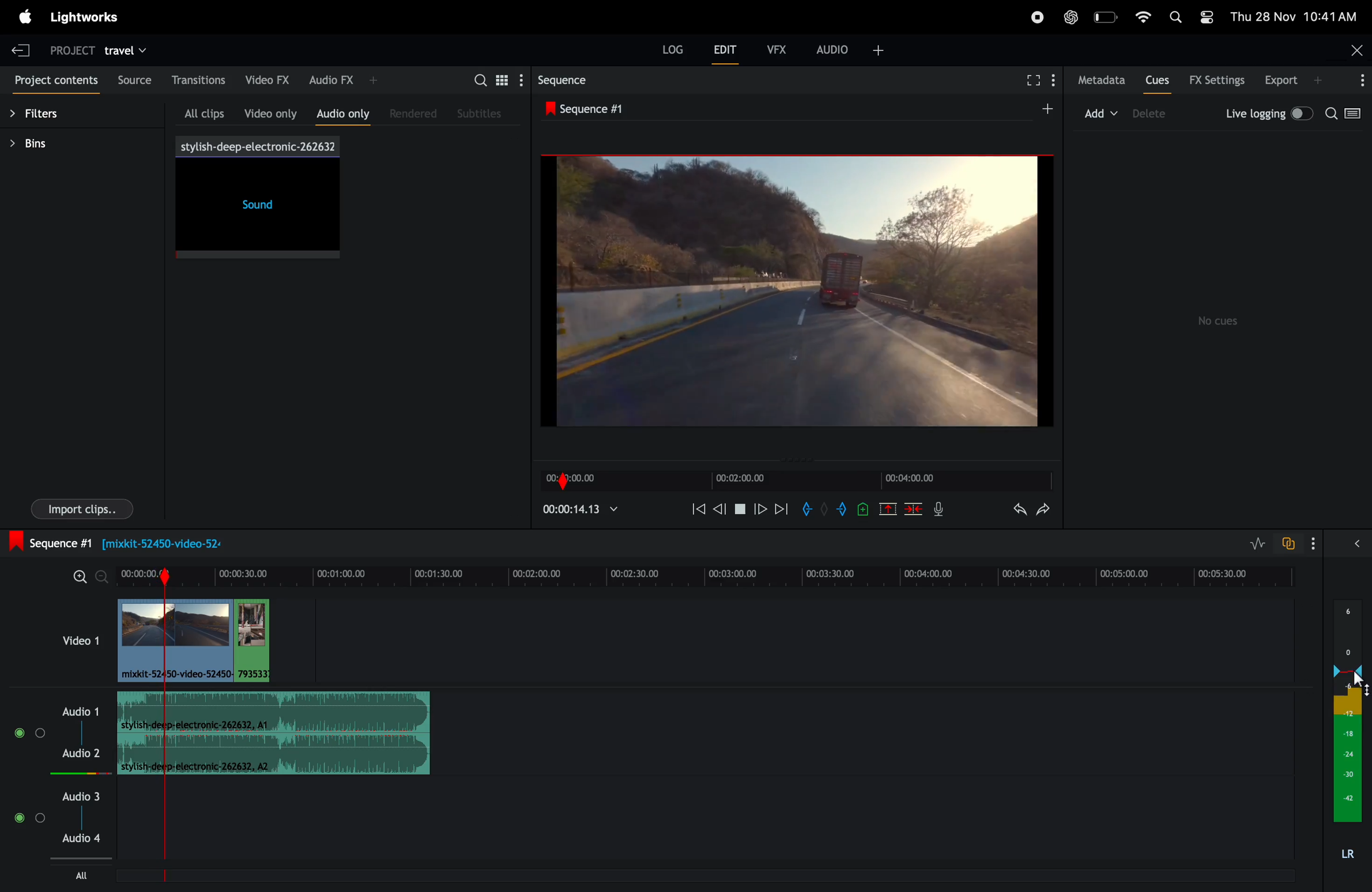 The height and width of the screenshot is (892, 1372). I want to click on song title, so click(257, 146).